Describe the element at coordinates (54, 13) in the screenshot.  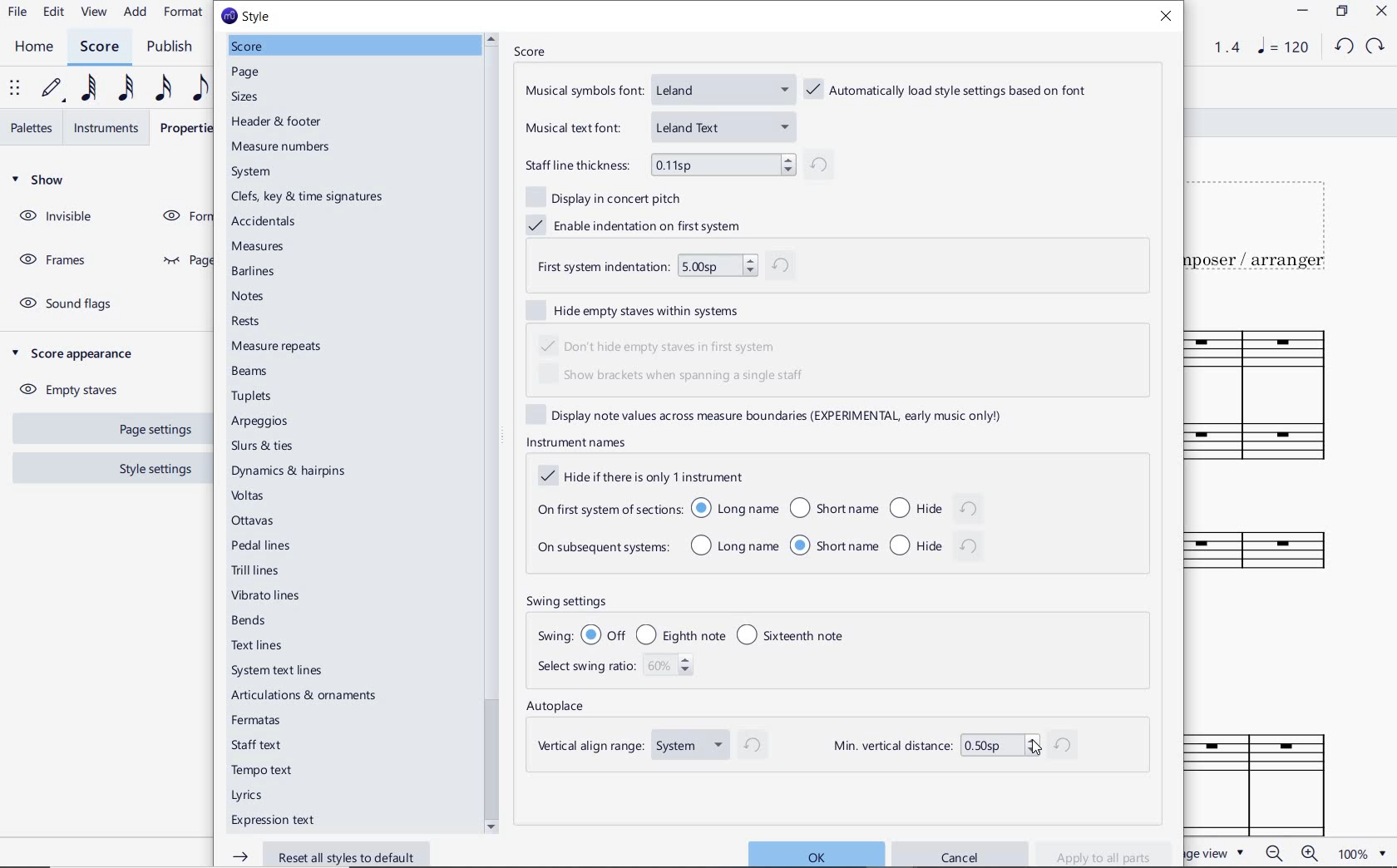
I see `EDIT` at that location.